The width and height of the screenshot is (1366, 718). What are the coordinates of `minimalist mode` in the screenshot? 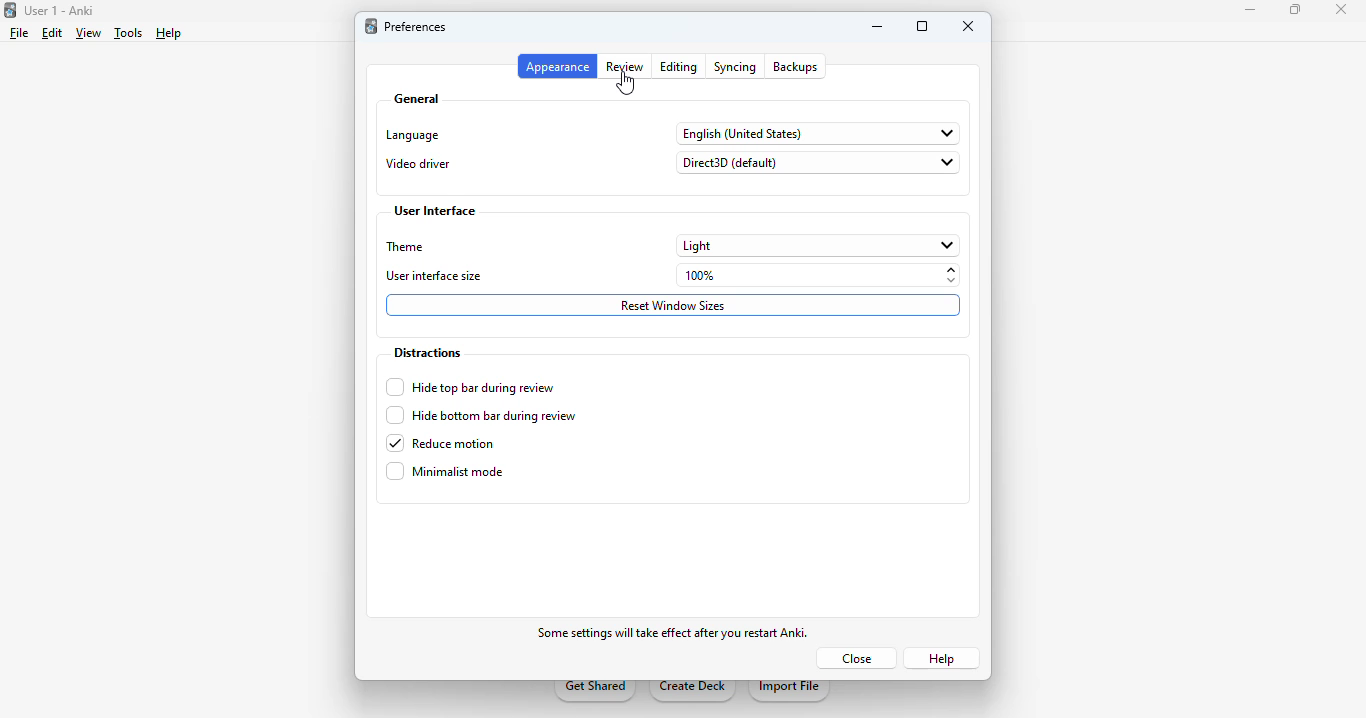 It's located at (445, 471).